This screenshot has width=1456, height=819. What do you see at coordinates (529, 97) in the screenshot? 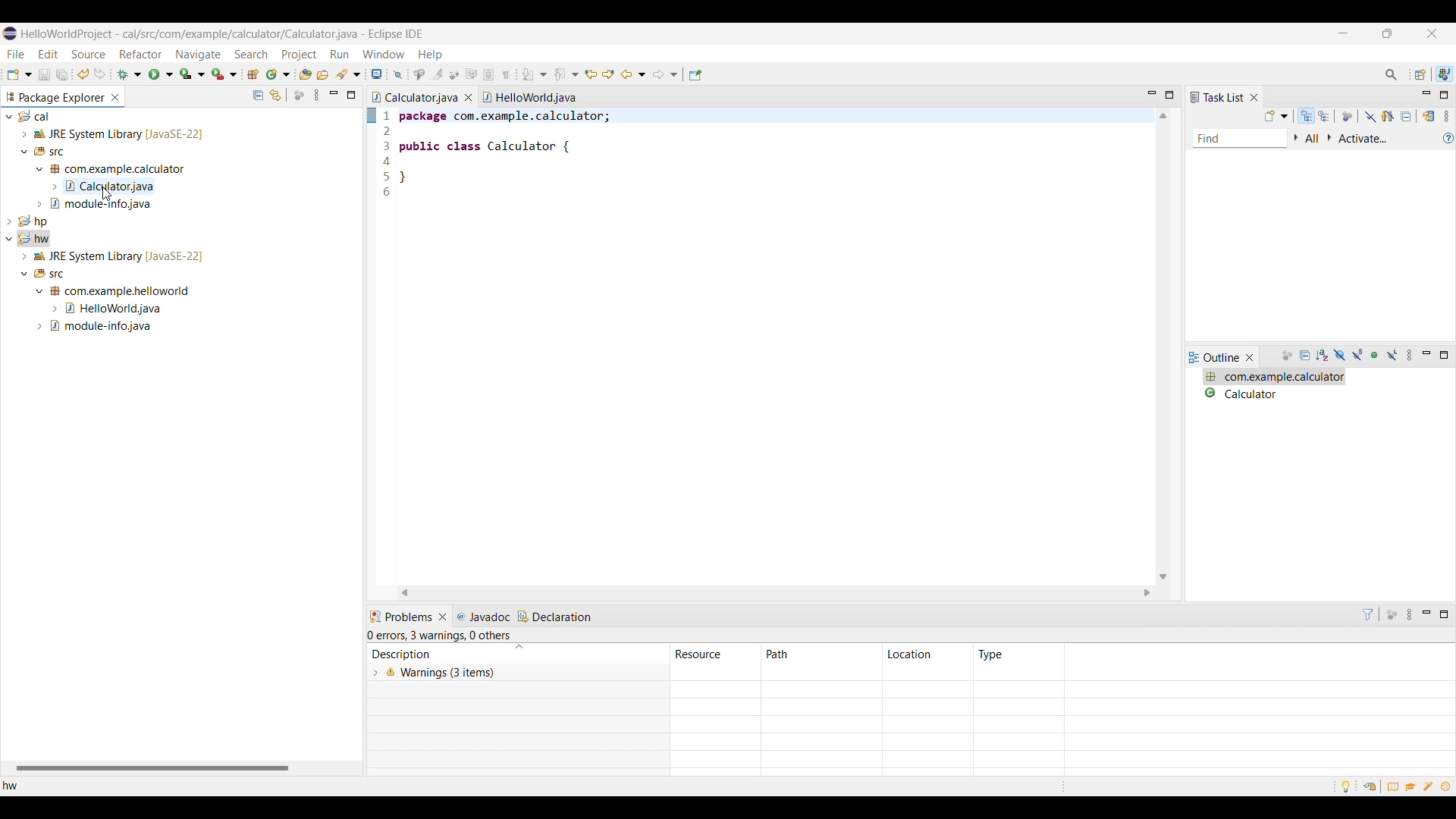
I see `Helloworld.java` at bounding box center [529, 97].